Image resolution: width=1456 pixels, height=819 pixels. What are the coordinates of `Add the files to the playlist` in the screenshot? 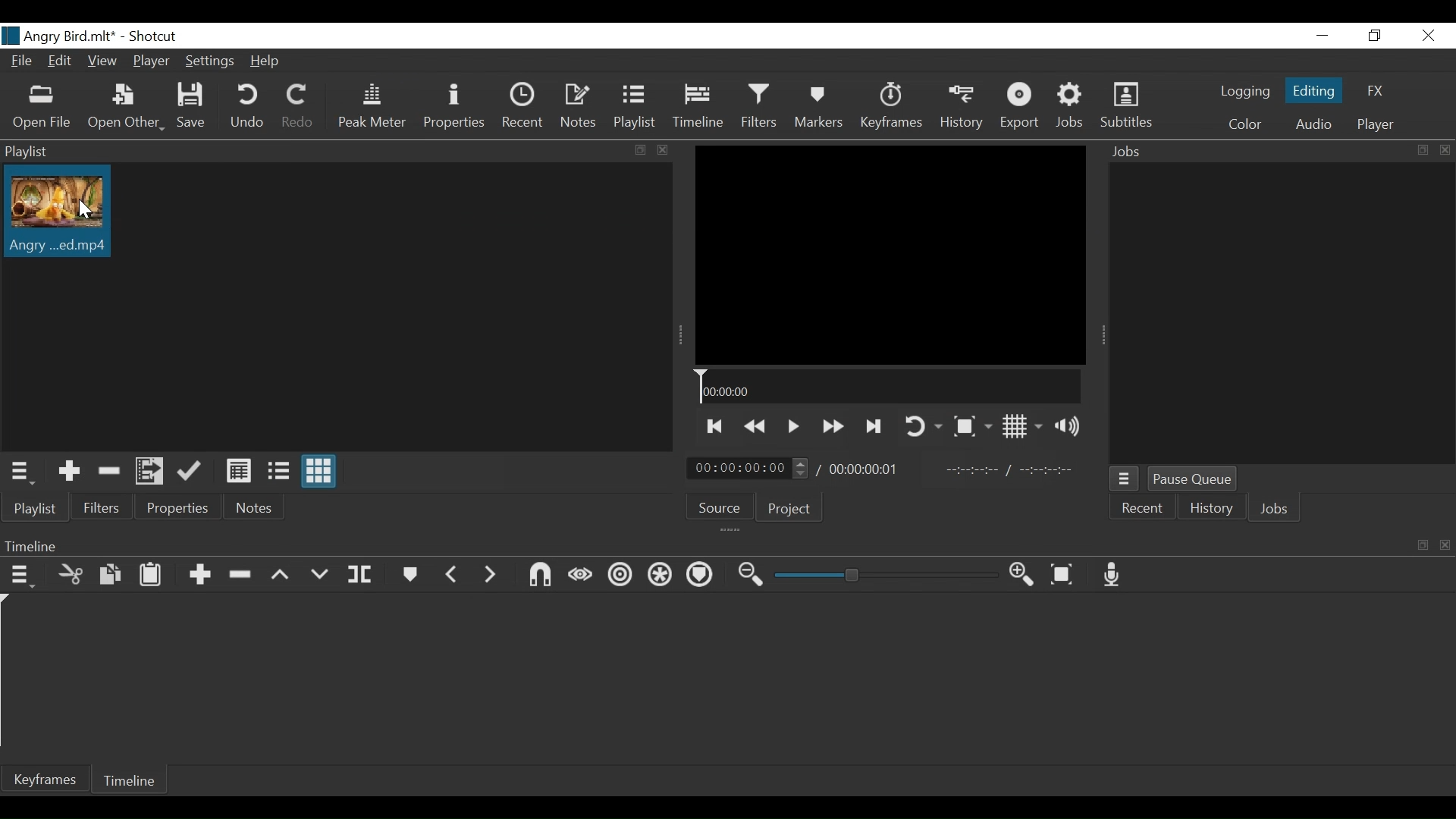 It's located at (149, 470).